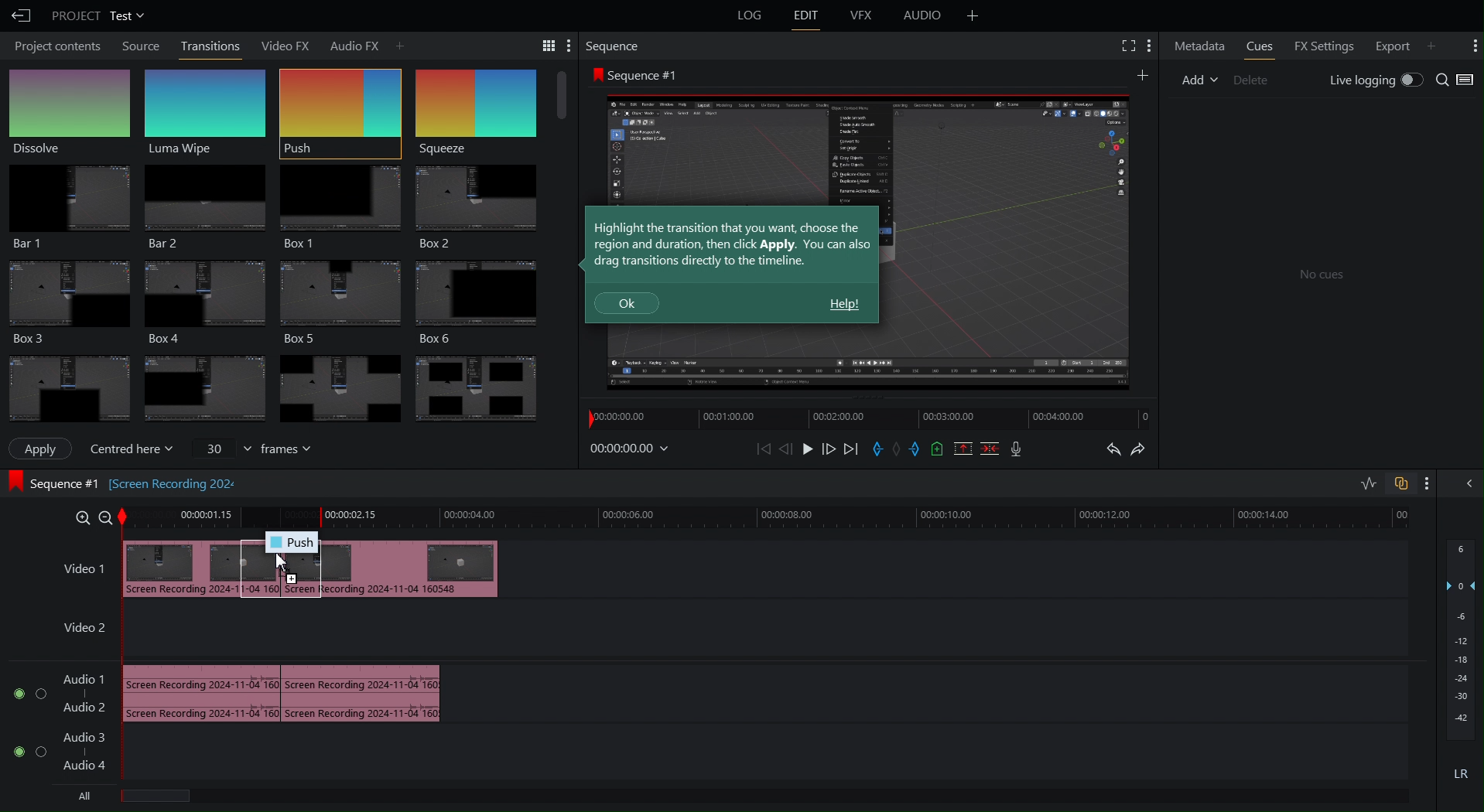  What do you see at coordinates (1008, 241) in the screenshot?
I see `Preview` at bounding box center [1008, 241].